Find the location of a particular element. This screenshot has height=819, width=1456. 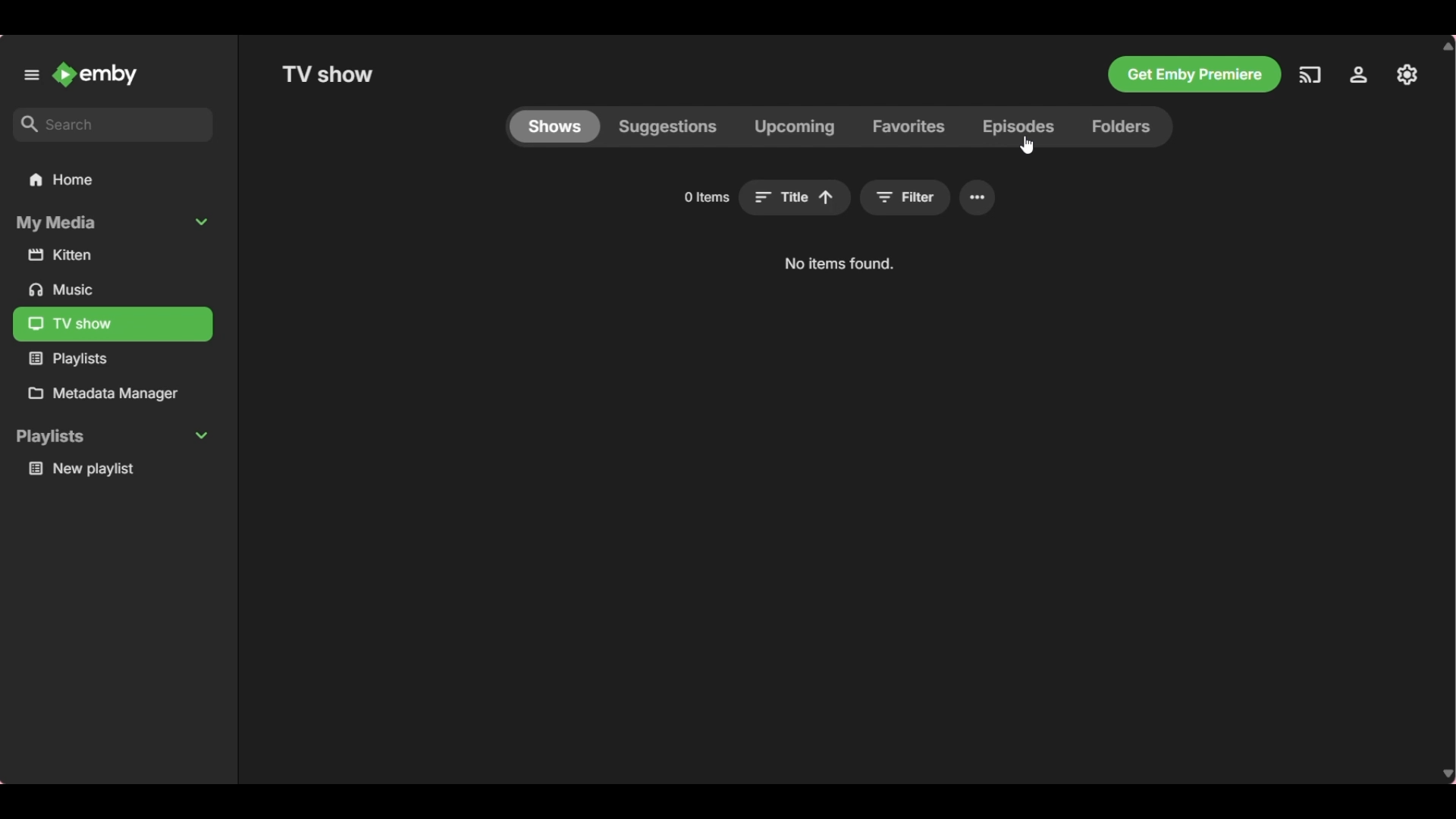

Sort title is located at coordinates (795, 198).